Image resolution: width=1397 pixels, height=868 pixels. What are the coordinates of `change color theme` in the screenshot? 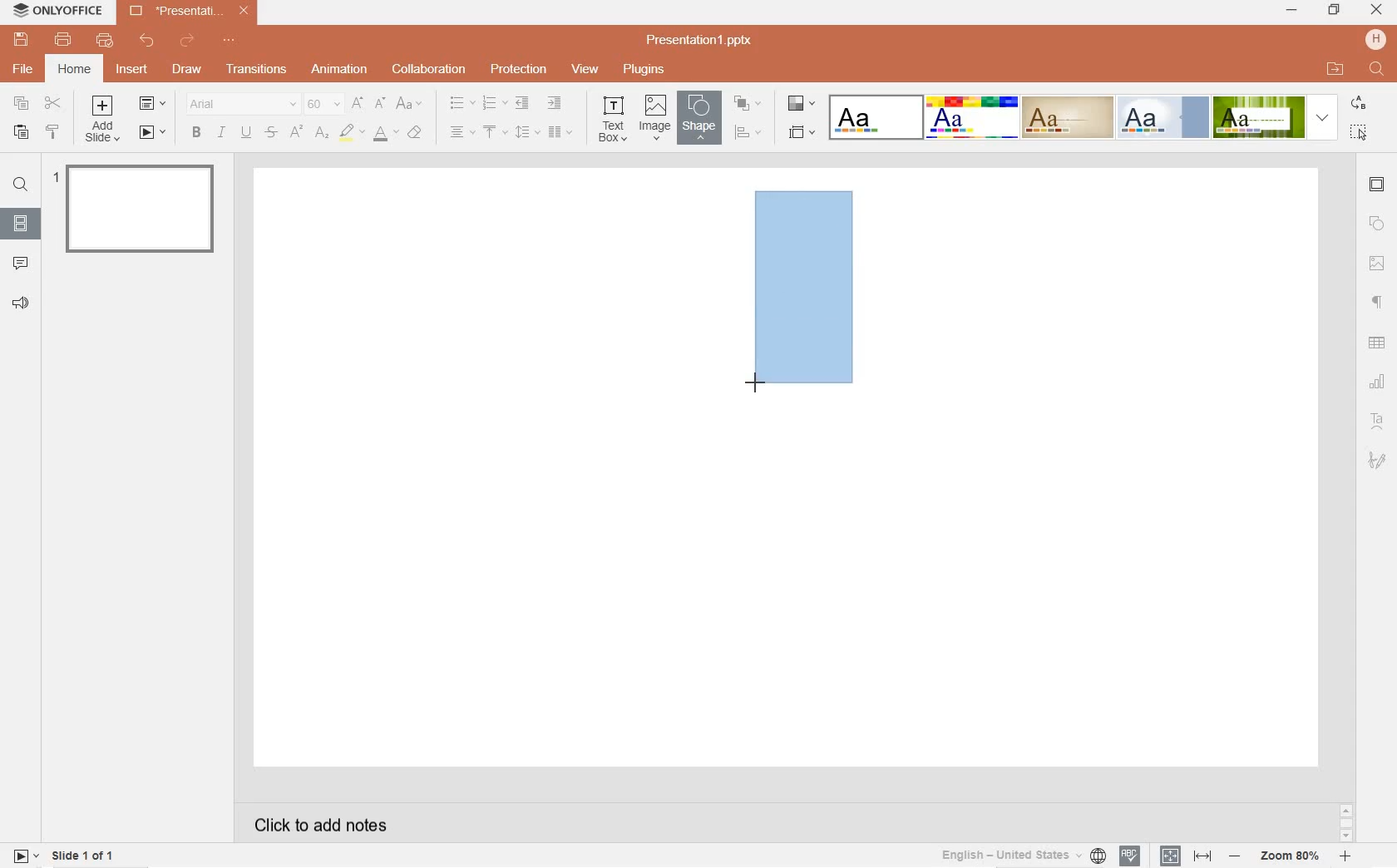 It's located at (799, 106).